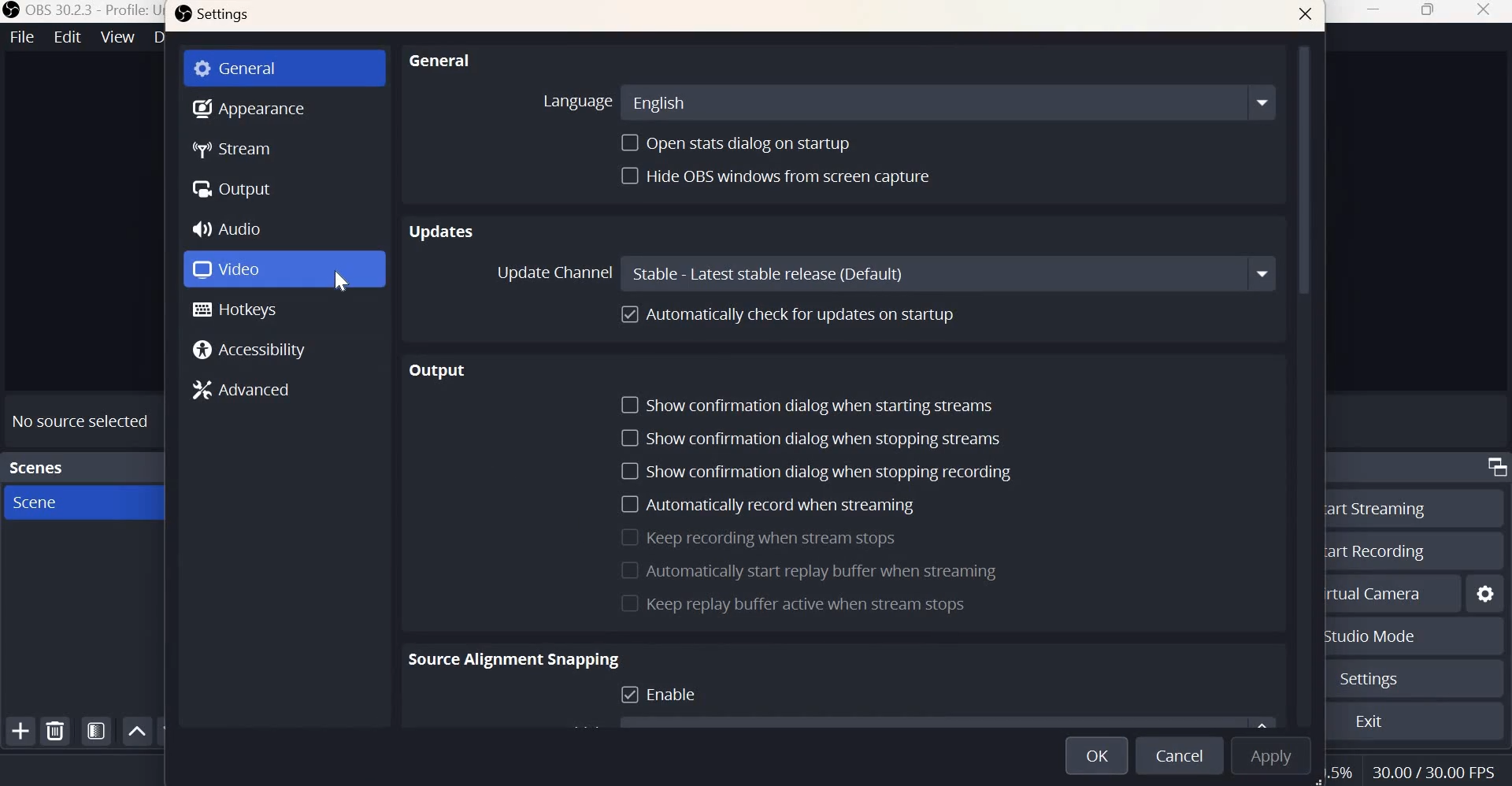 The height and width of the screenshot is (786, 1512). What do you see at coordinates (254, 350) in the screenshot?
I see `Accessibility` at bounding box center [254, 350].